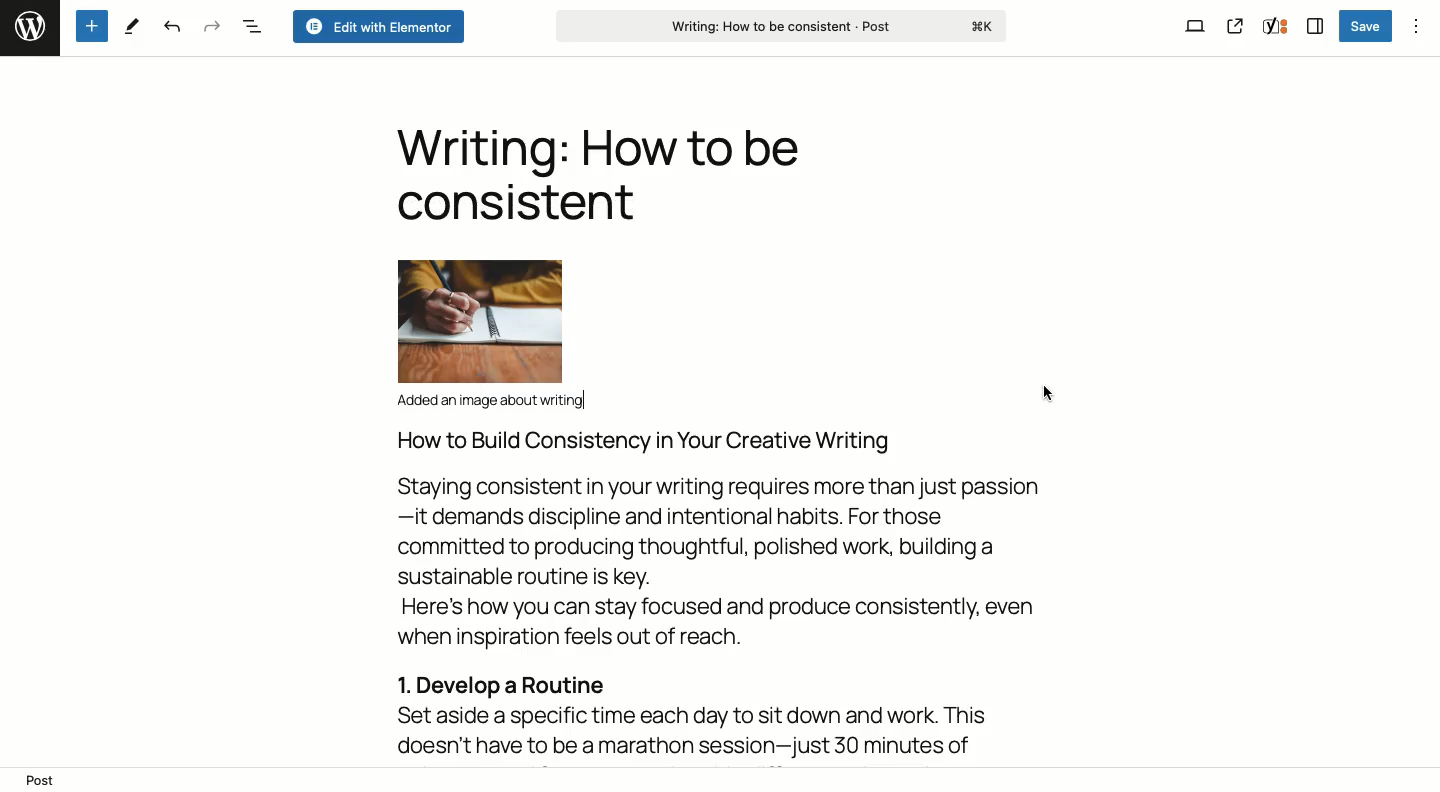  What do you see at coordinates (377, 26) in the screenshot?
I see `Edit with elementor` at bounding box center [377, 26].